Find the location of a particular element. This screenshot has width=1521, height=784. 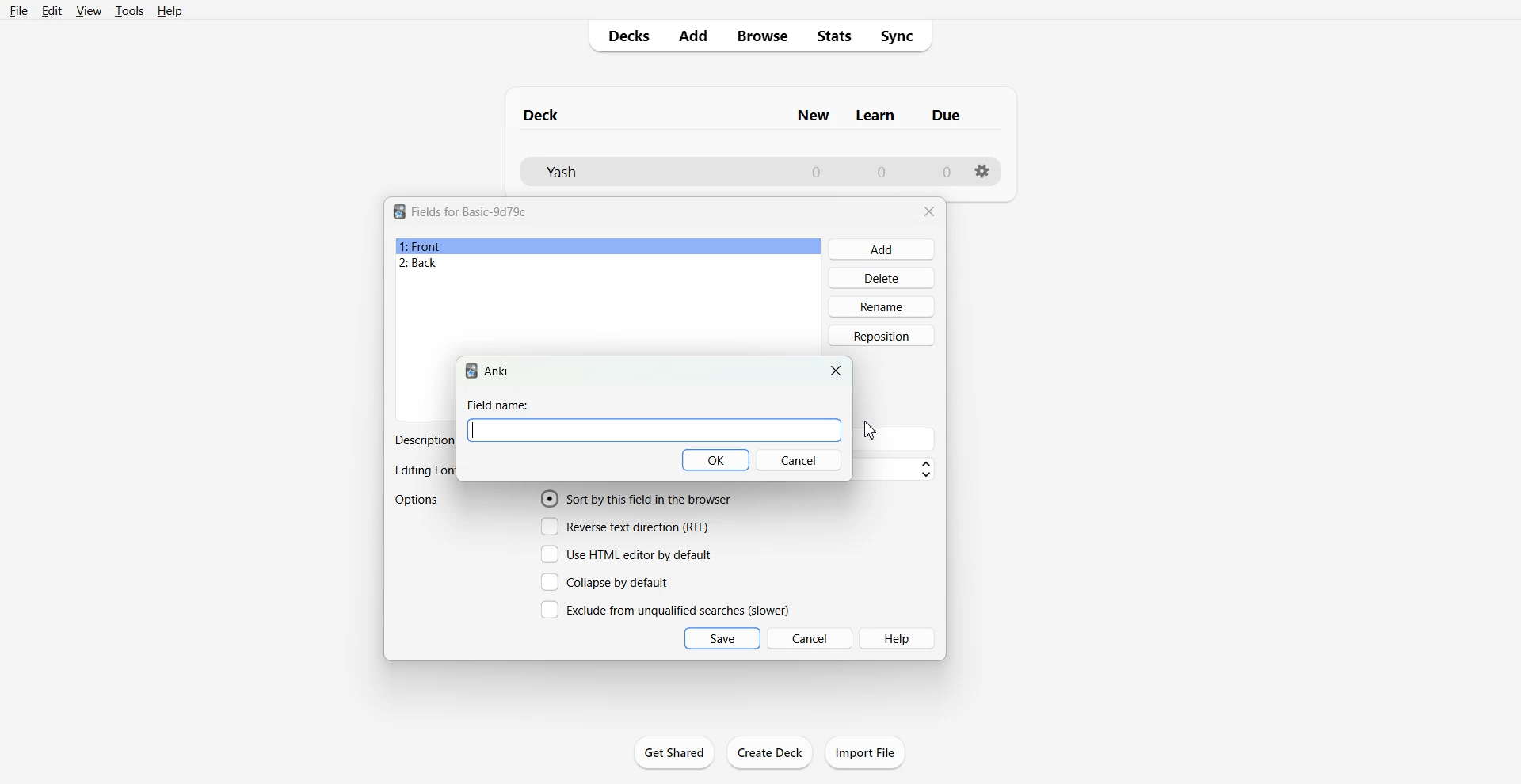

Text 1 is located at coordinates (470, 211).